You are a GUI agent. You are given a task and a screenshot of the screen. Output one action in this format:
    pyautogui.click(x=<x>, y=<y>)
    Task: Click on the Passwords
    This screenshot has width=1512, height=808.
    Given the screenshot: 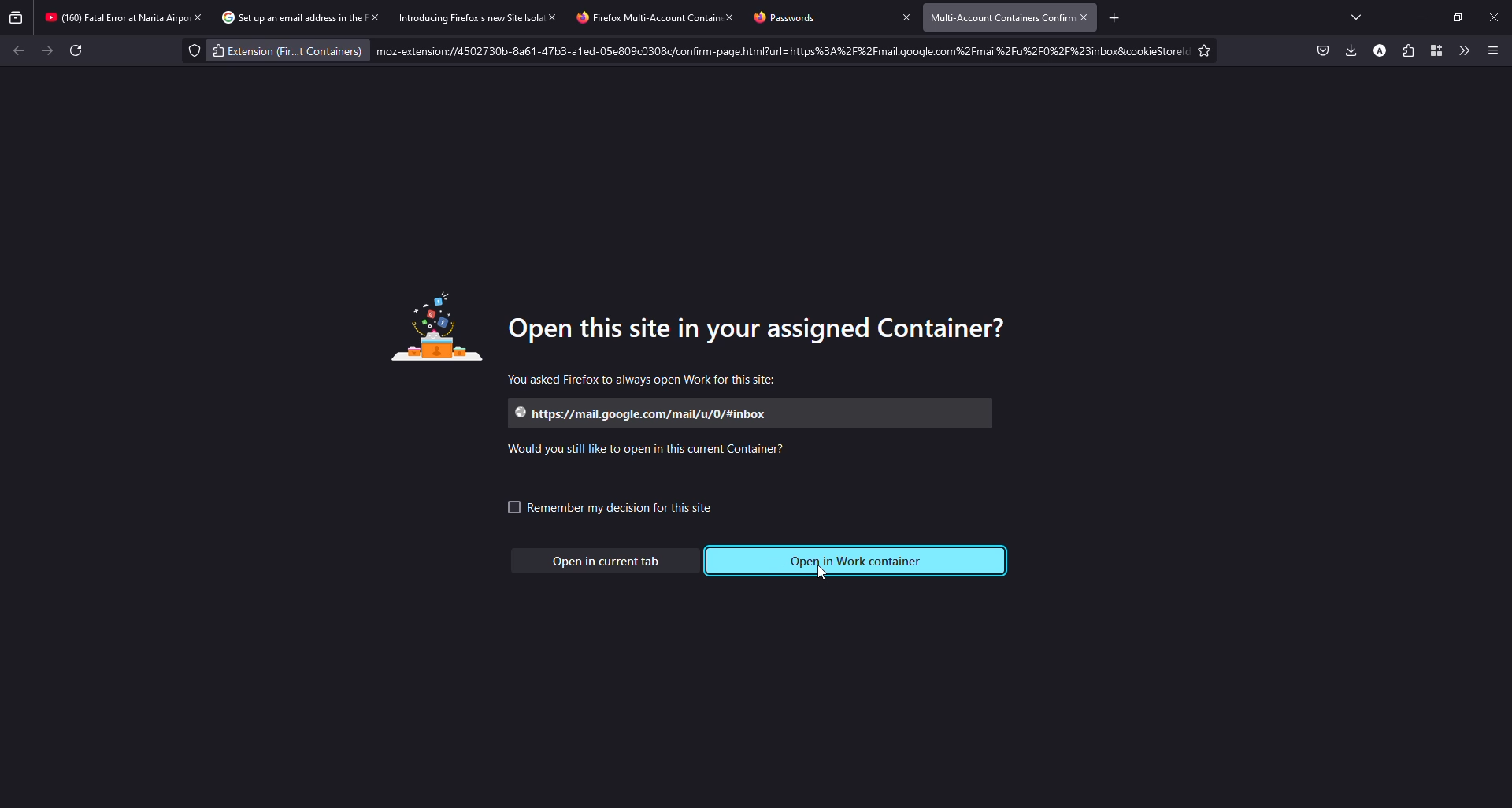 What is the action you would take?
    pyautogui.click(x=800, y=18)
    